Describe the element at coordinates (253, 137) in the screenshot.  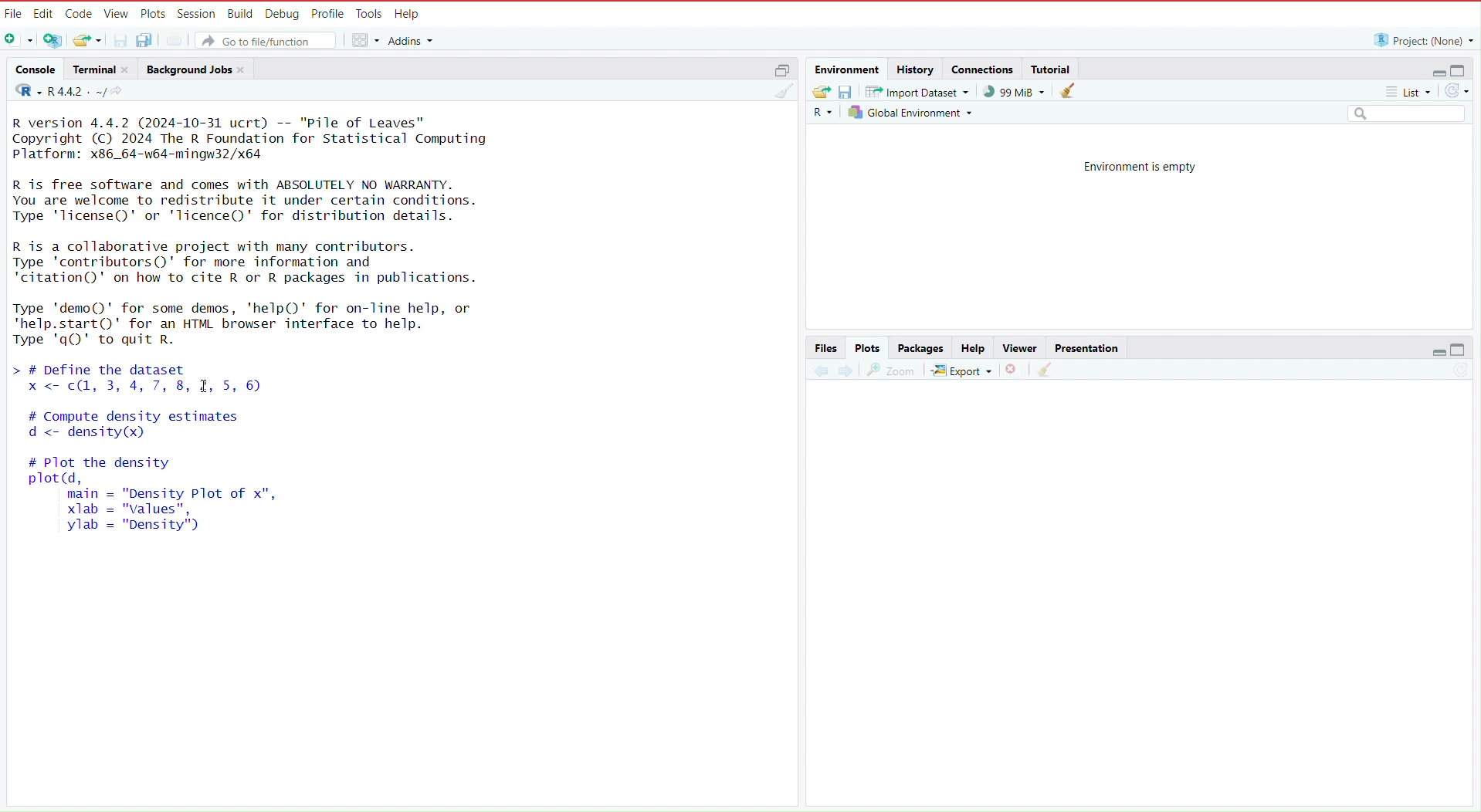
I see `R version 4.4.2 (2024-10-31 ucrt) -- "Pile of Leaves"
Copyright (C) 2024 The R Foundation for Statistical Computing
Platform: x86_64-w64-mingw32/x64` at that location.